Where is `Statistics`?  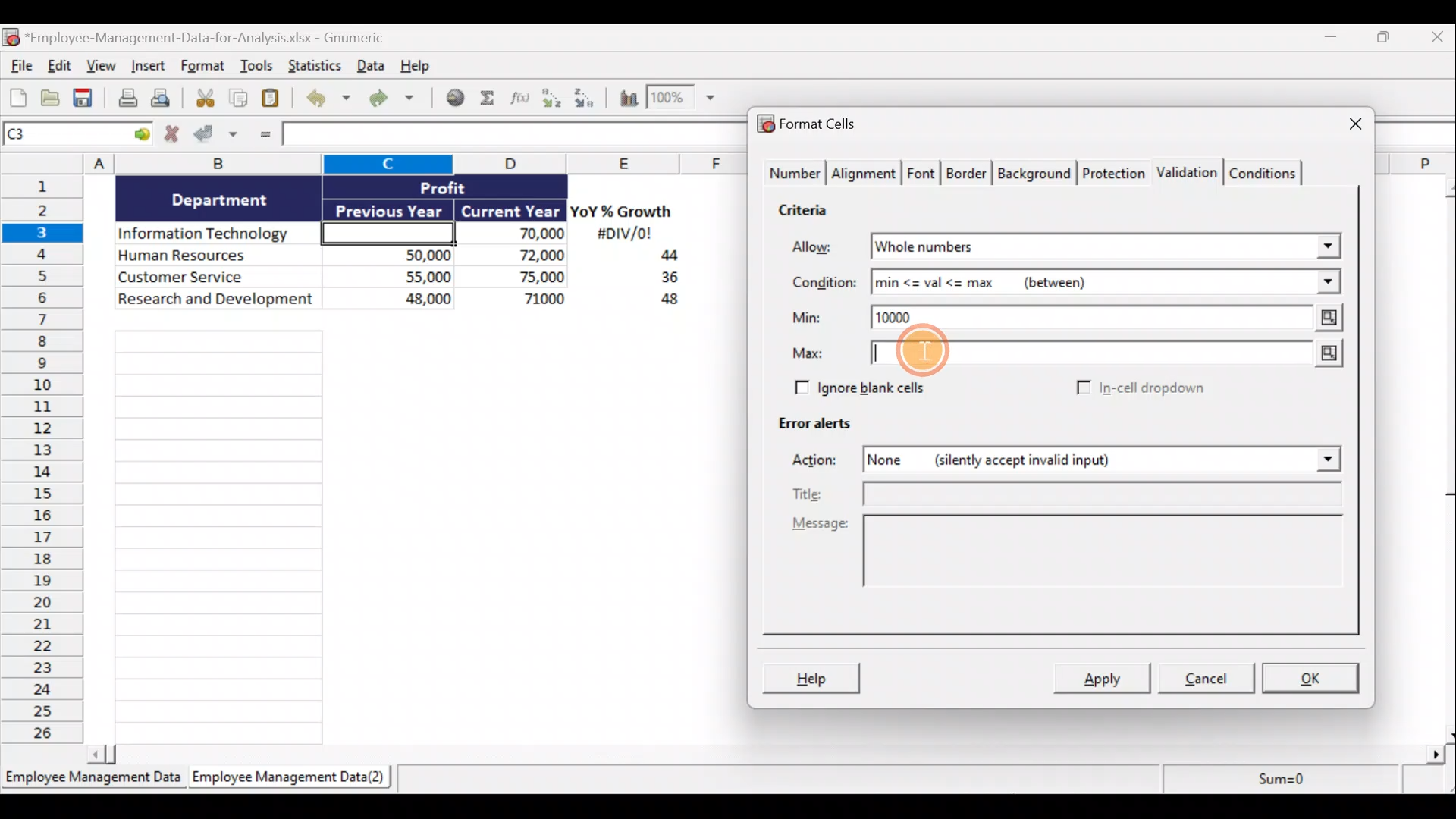
Statistics is located at coordinates (313, 65).